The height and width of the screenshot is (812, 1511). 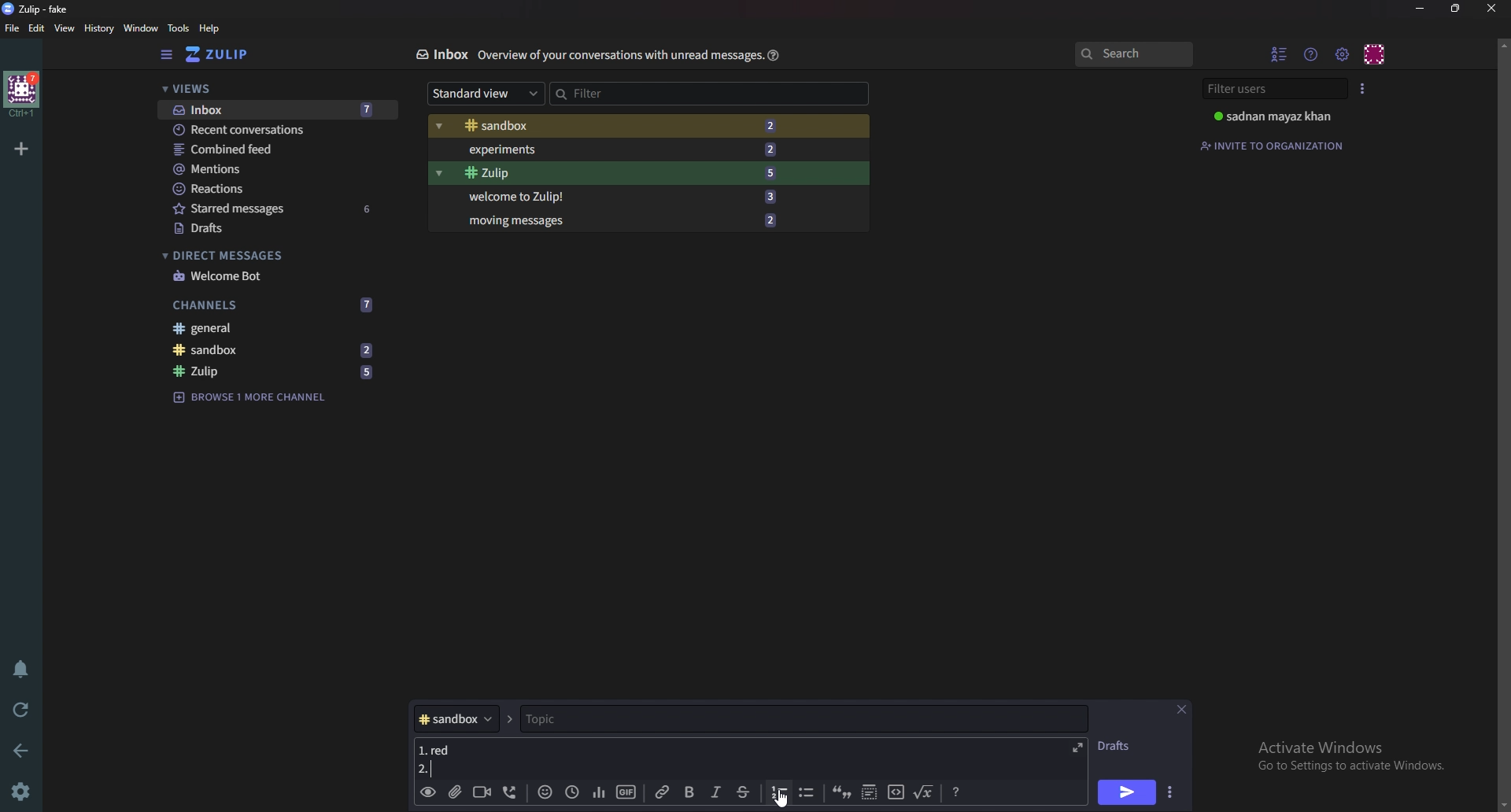 What do you see at coordinates (278, 131) in the screenshot?
I see `Recent conversations` at bounding box center [278, 131].